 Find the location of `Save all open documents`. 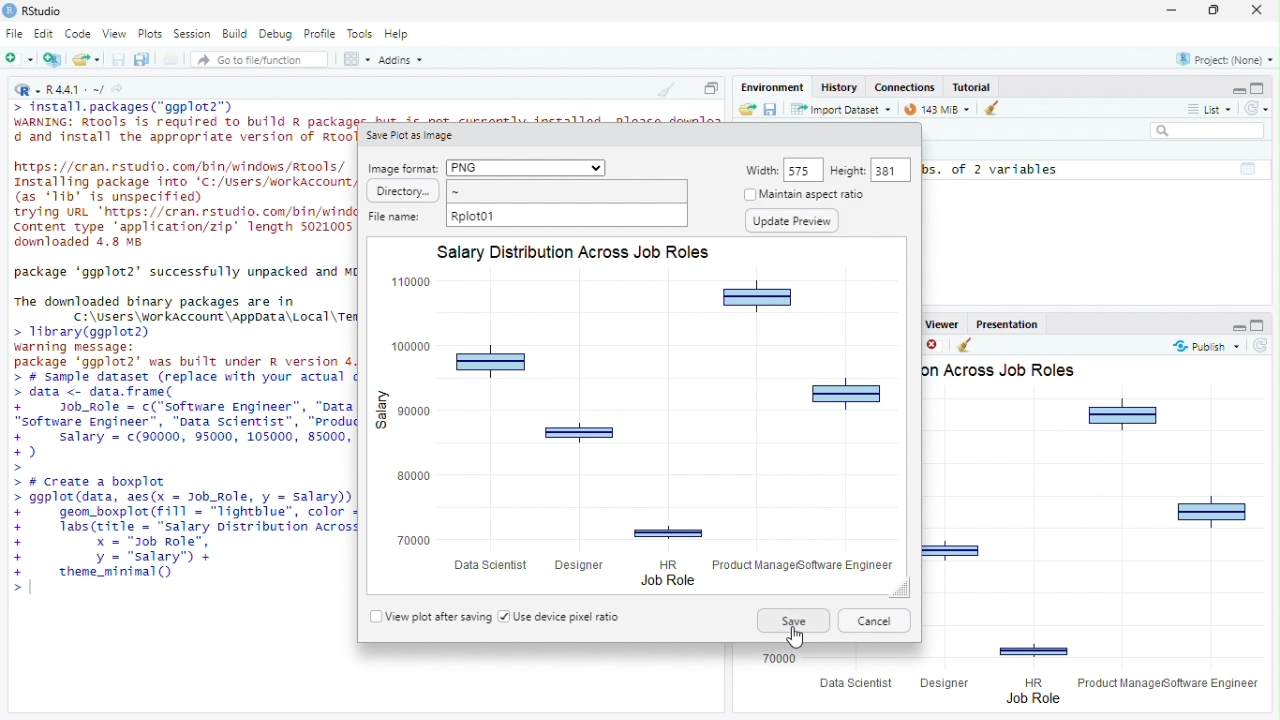

Save all open documents is located at coordinates (144, 59).